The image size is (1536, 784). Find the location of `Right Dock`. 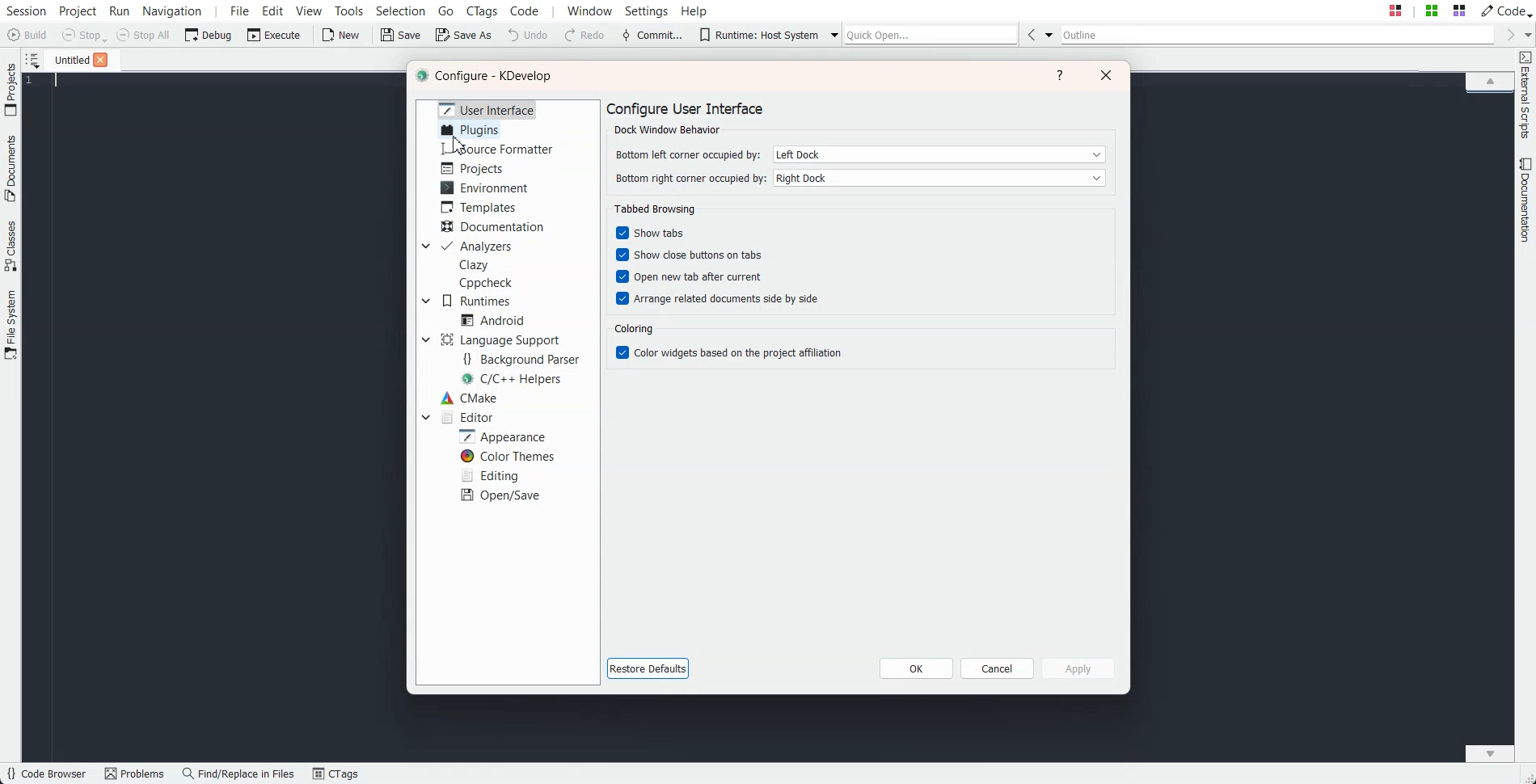

Right Dock is located at coordinates (940, 178).